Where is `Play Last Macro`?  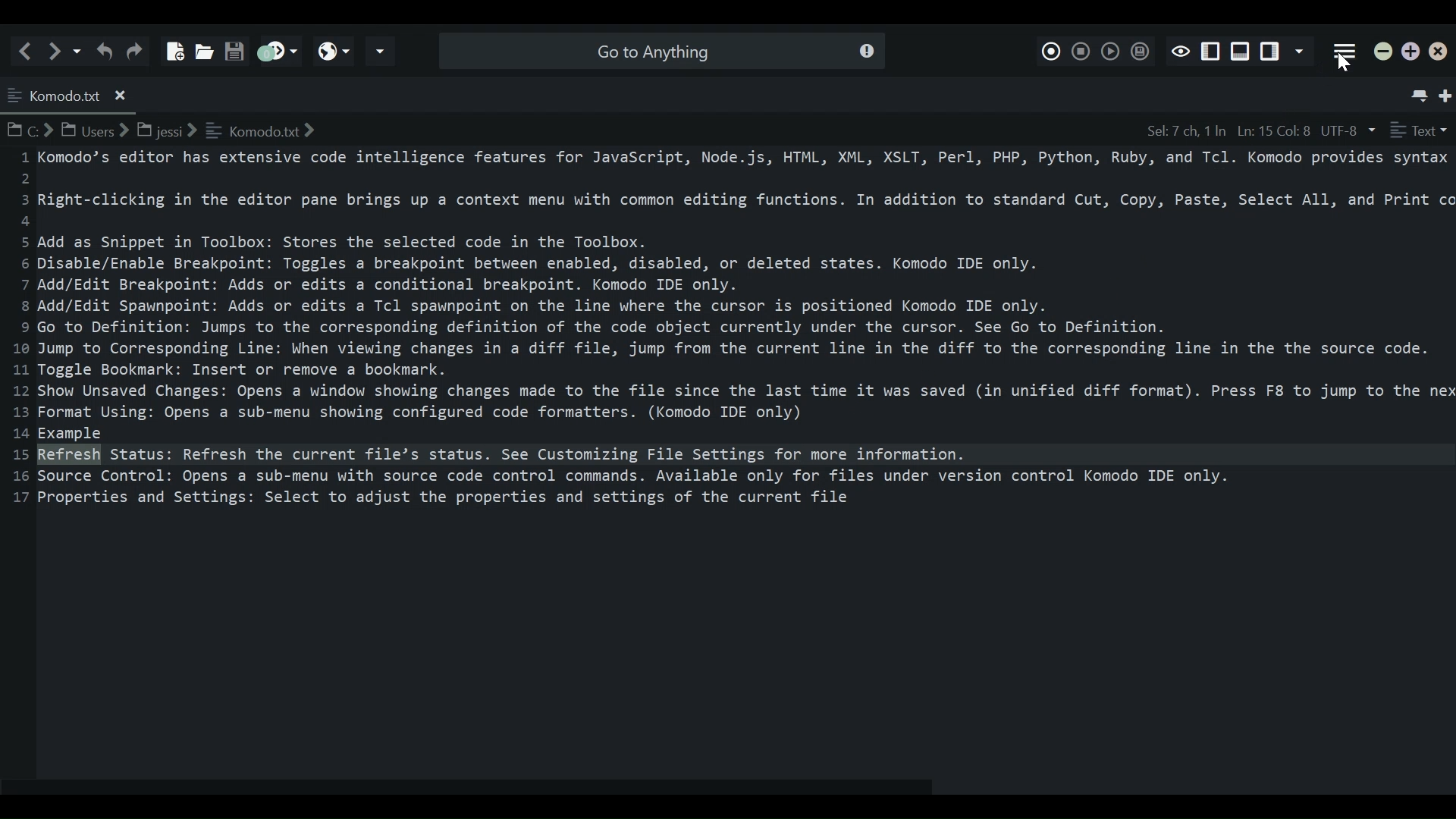
Play Last Macro is located at coordinates (1109, 50).